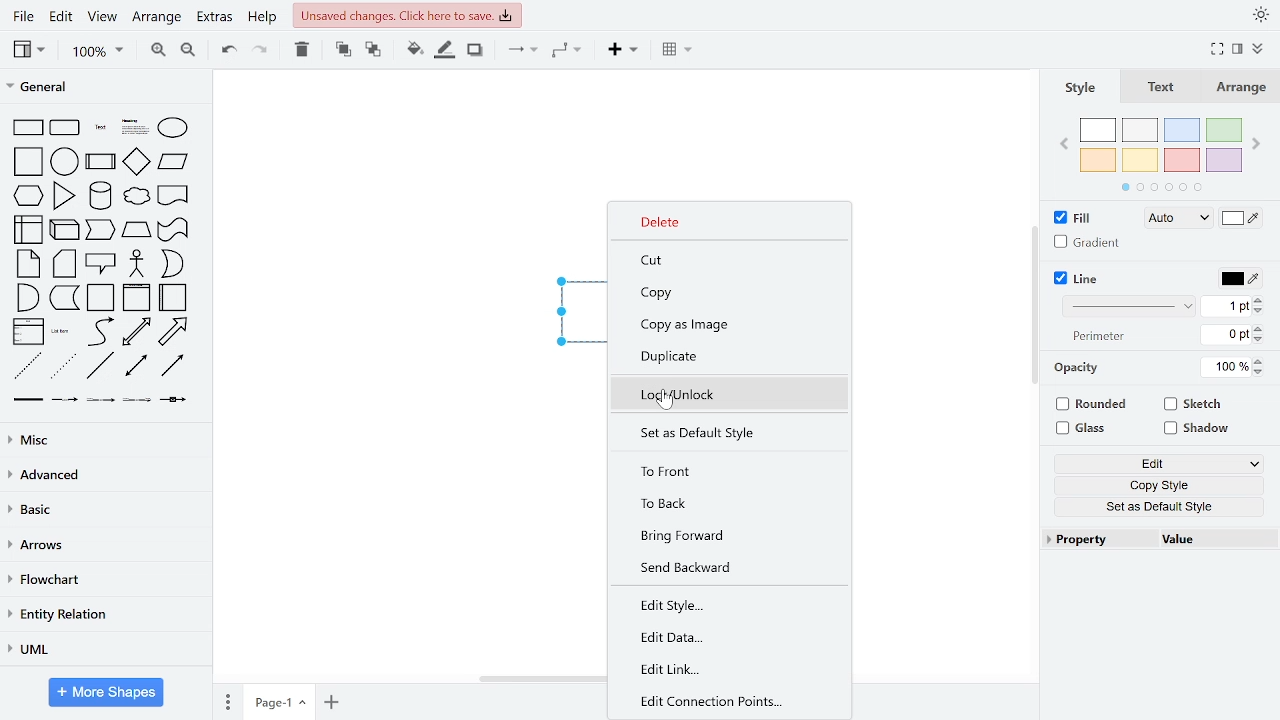 This screenshot has width=1280, height=720. Describe the element at coordinates (103, 581) in the screenshot. I see `flowchart` at that location.